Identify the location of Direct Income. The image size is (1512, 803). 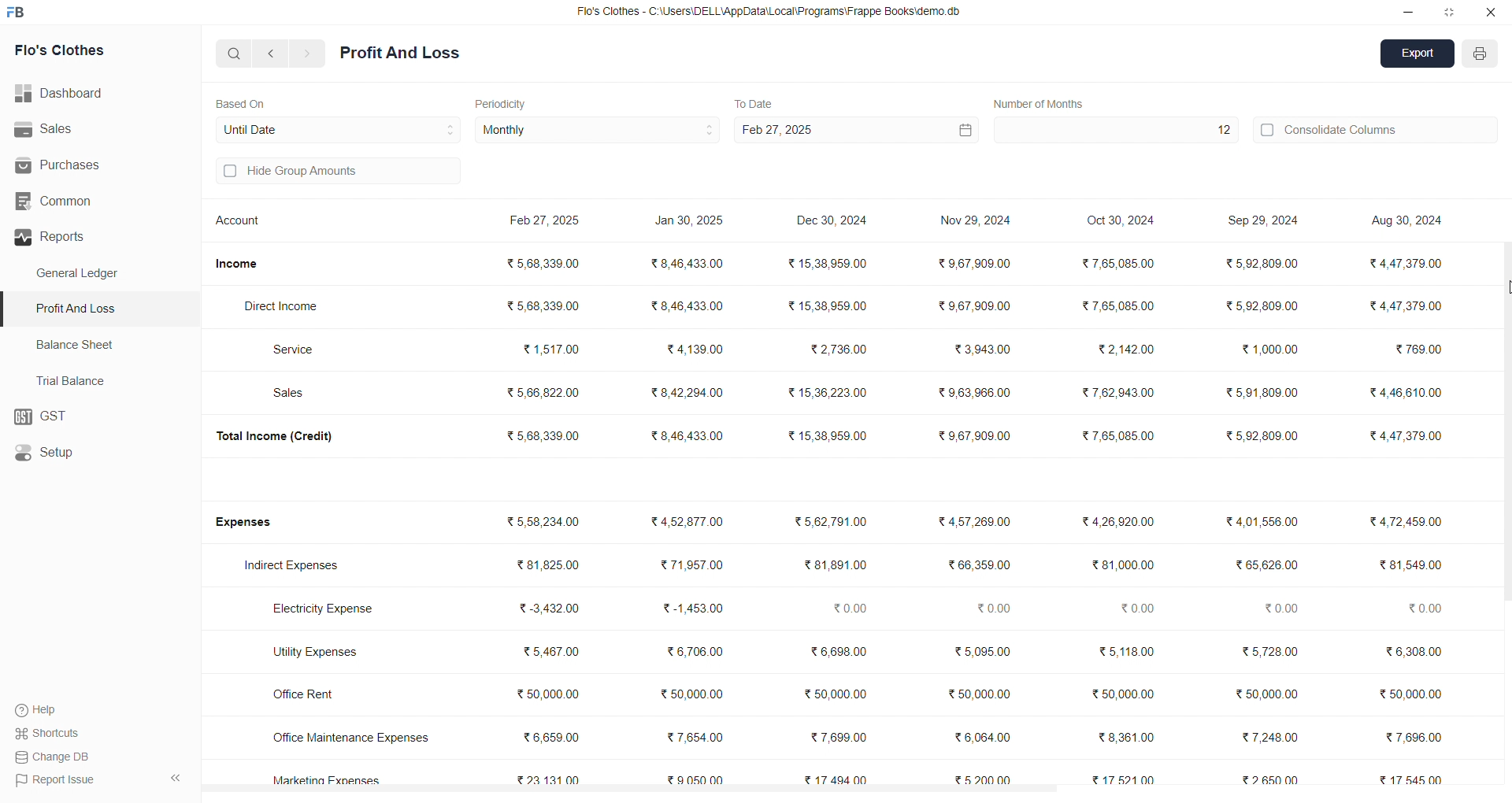
(289, 307).